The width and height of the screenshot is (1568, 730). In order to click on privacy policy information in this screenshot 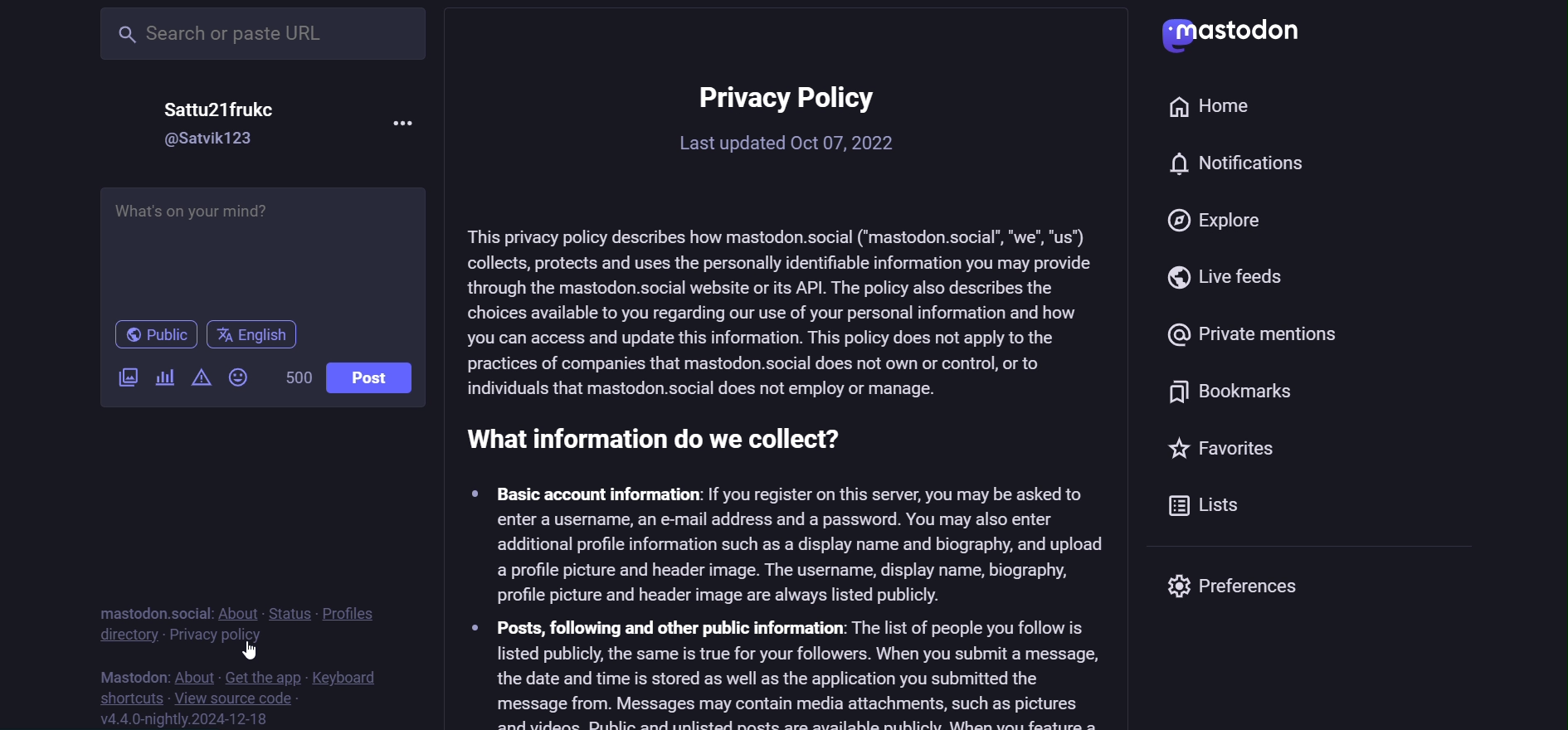, I will do `click(791, 390)`.